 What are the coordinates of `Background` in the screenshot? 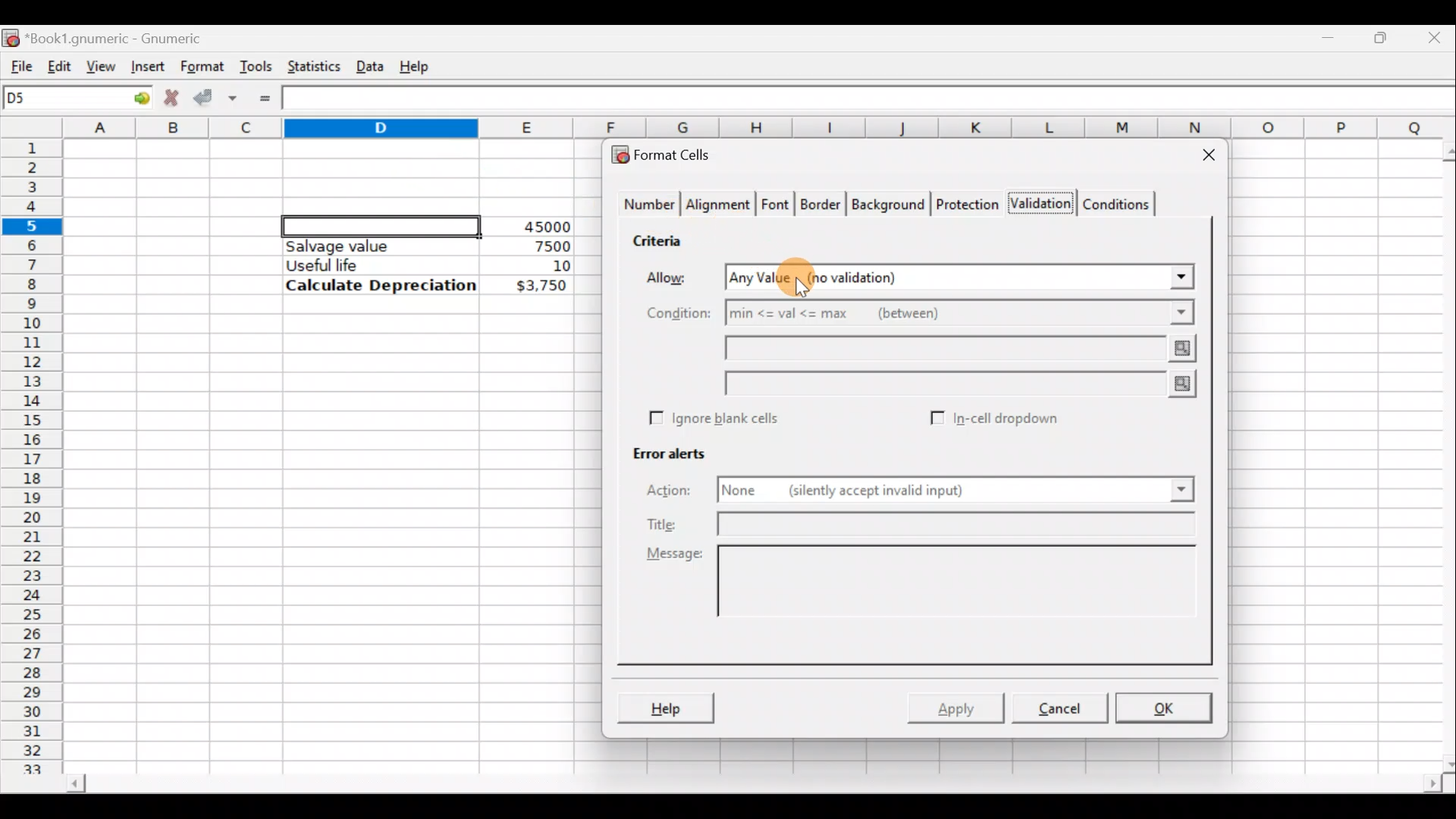 It's located at (887, 203).